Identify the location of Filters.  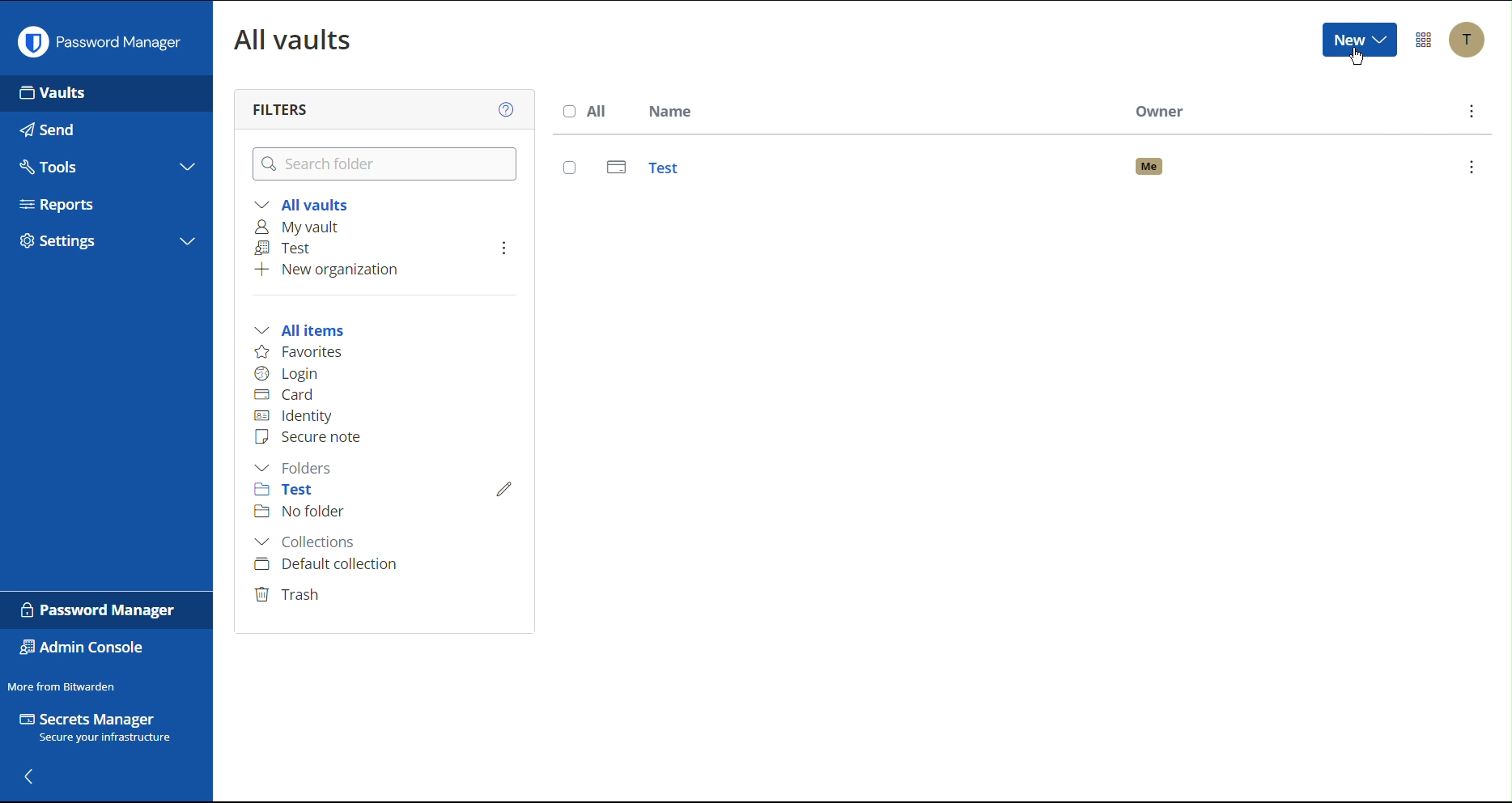
(282, 108).